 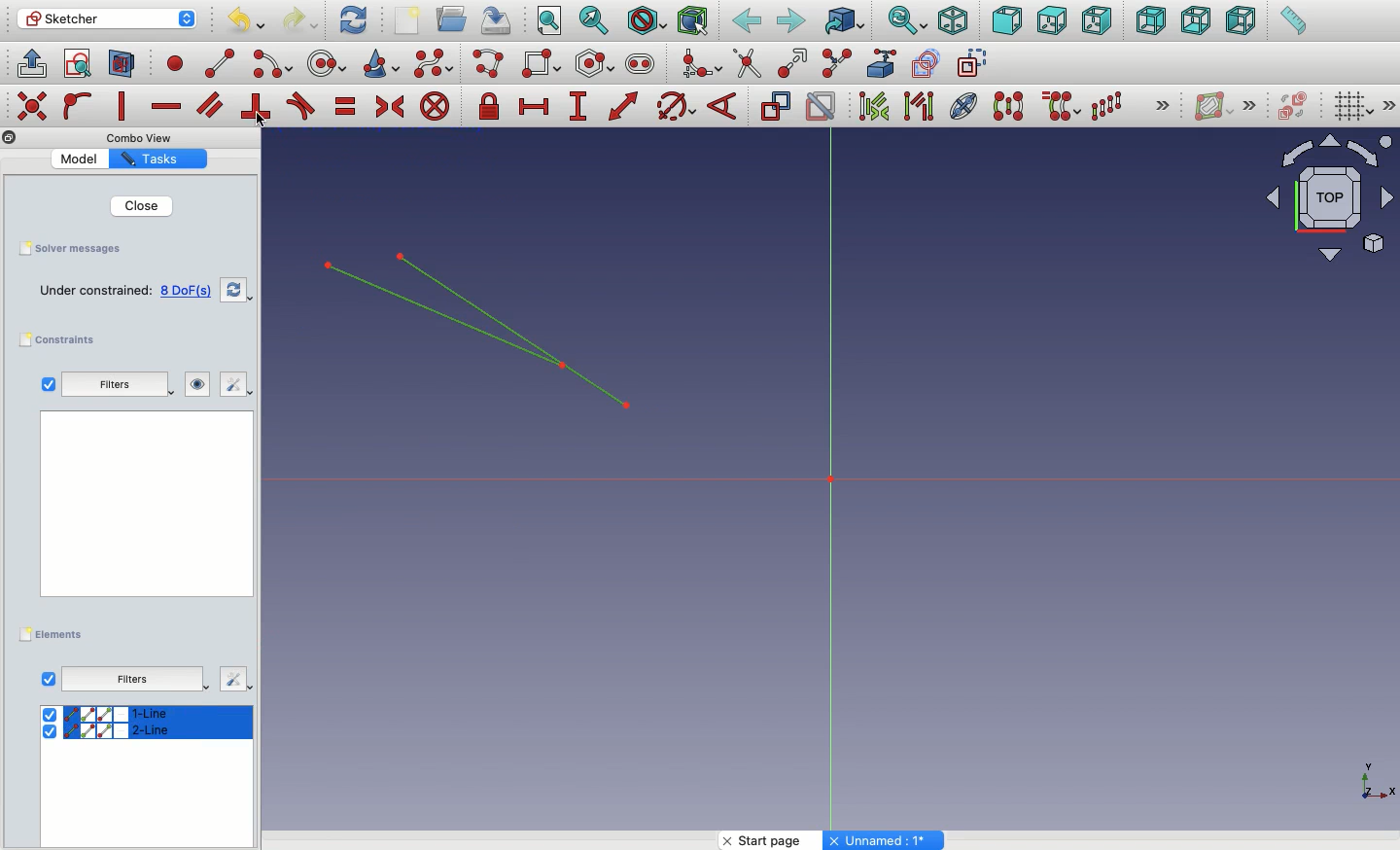 What do you see at coordinates (492, 64) in the screenshot?
I see `Polyline` at bounding box center [492, 64].